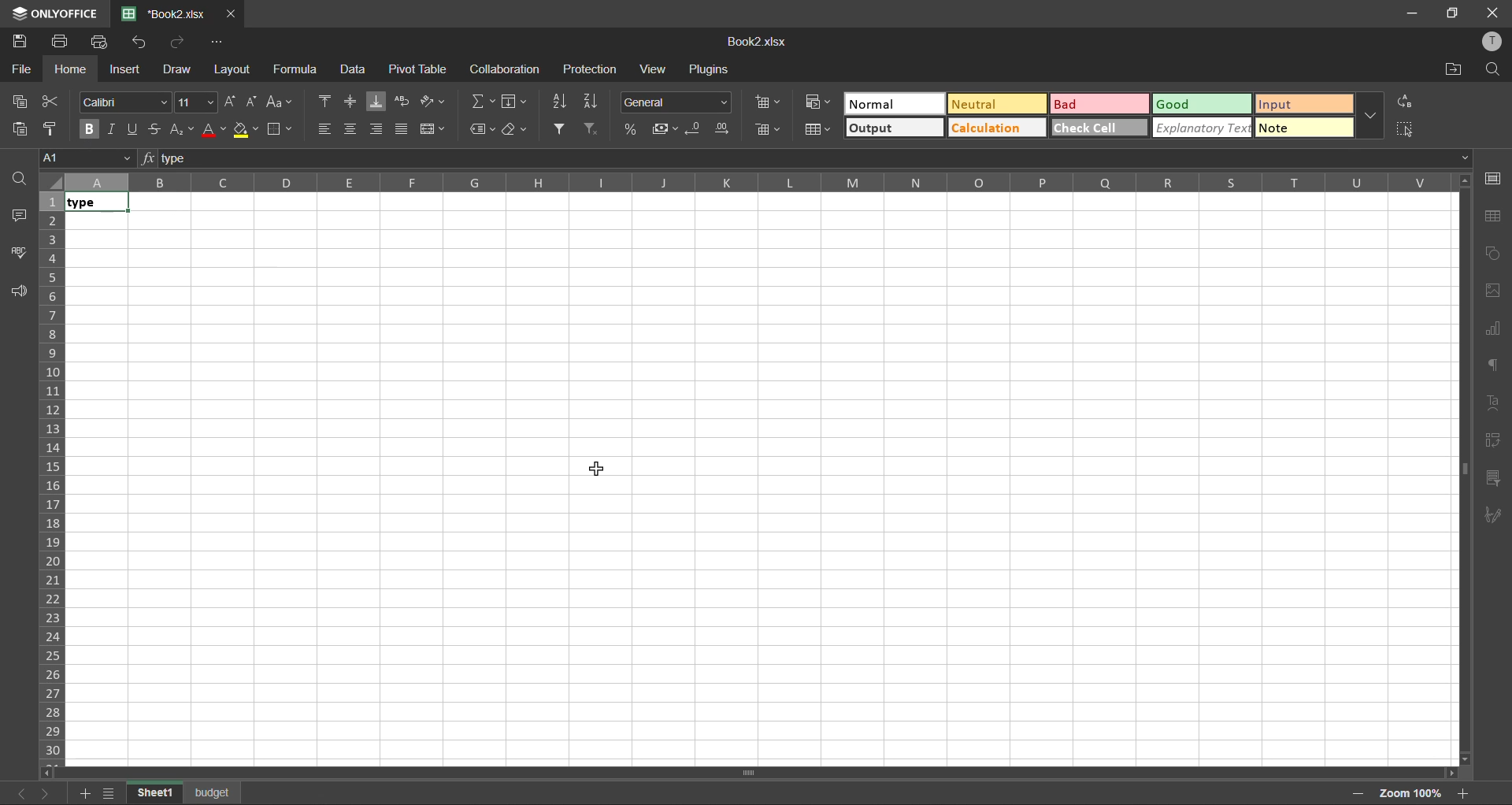 The width and height of the screenshot is (1512, 805). What do you see at coordinates (1494, 328) in the screenshot?
I see `charts` at bounding box center [1494, 328].